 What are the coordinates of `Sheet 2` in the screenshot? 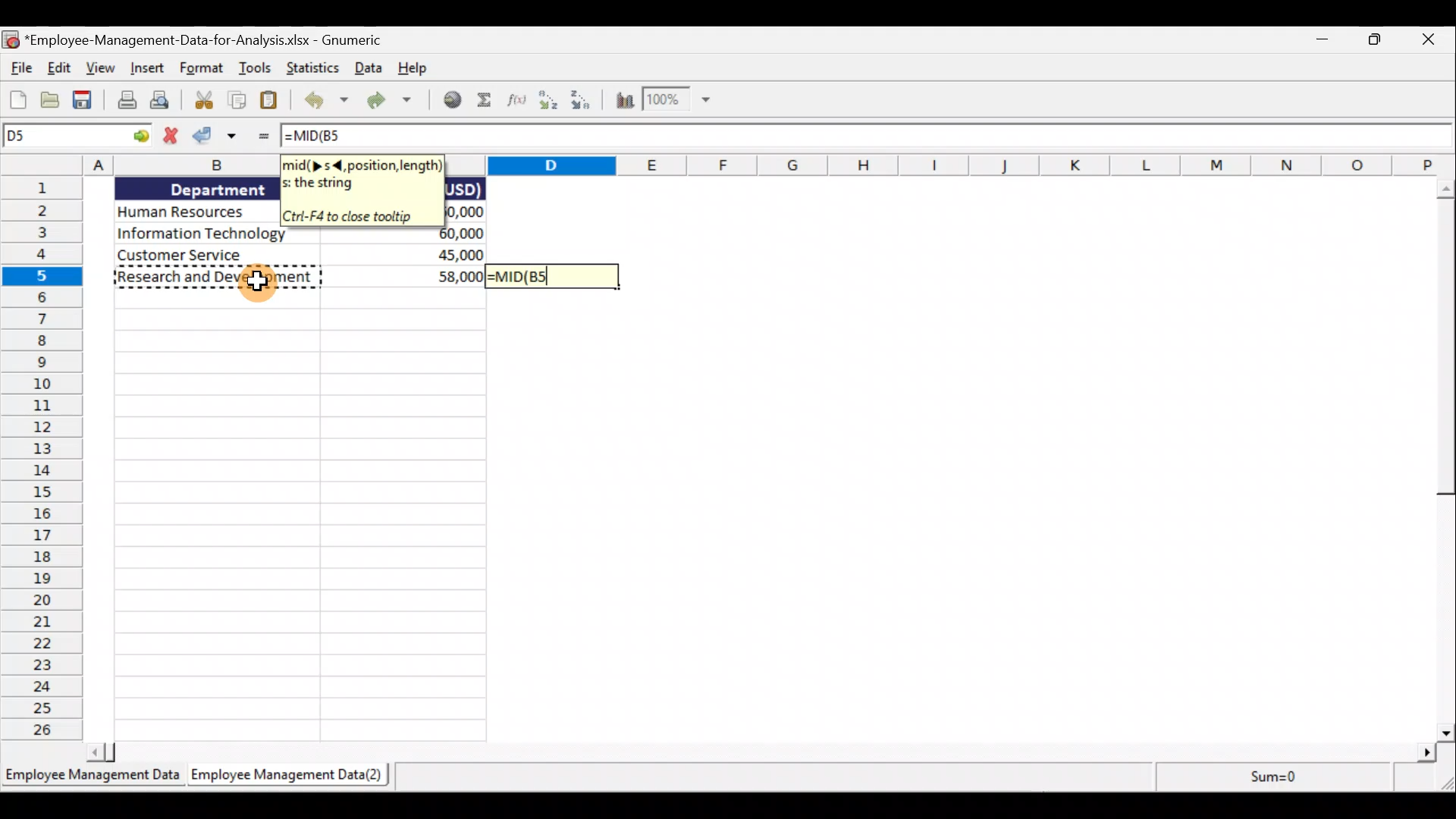 It's located at (294, 778).